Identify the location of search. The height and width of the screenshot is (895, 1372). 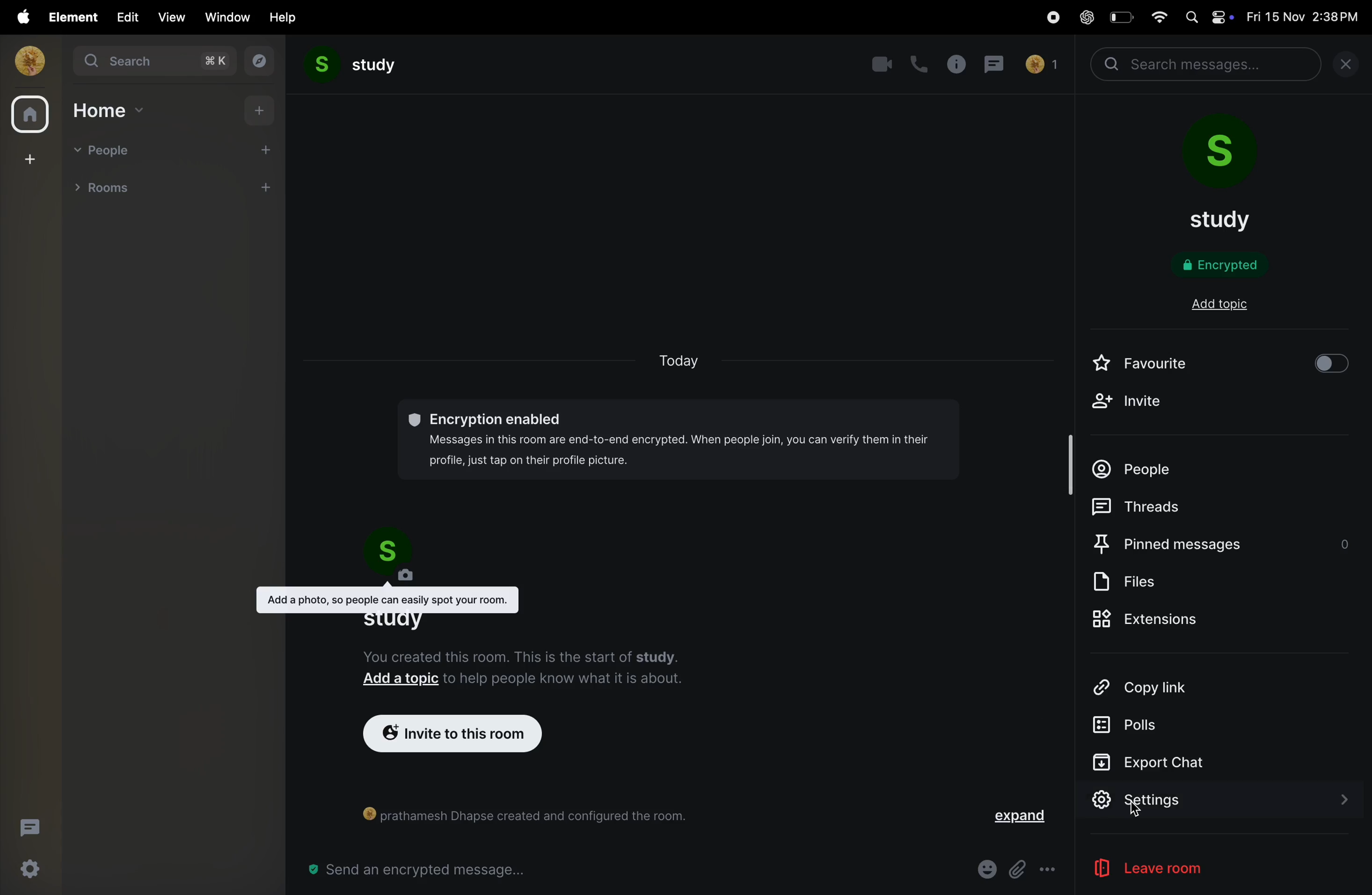
(150, 61).